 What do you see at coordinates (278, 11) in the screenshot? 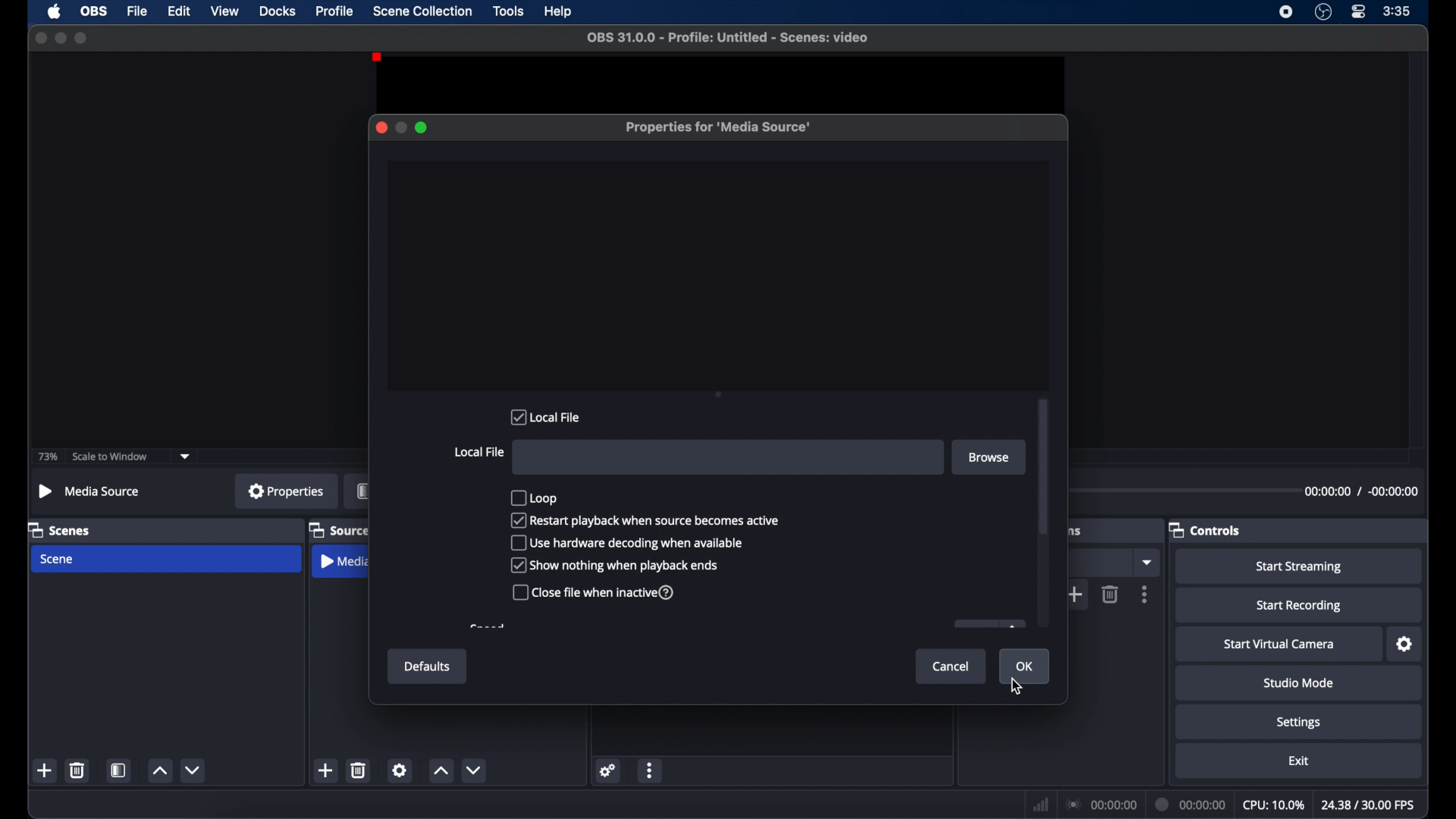
I see `docks` at bounding box center [278, 11].